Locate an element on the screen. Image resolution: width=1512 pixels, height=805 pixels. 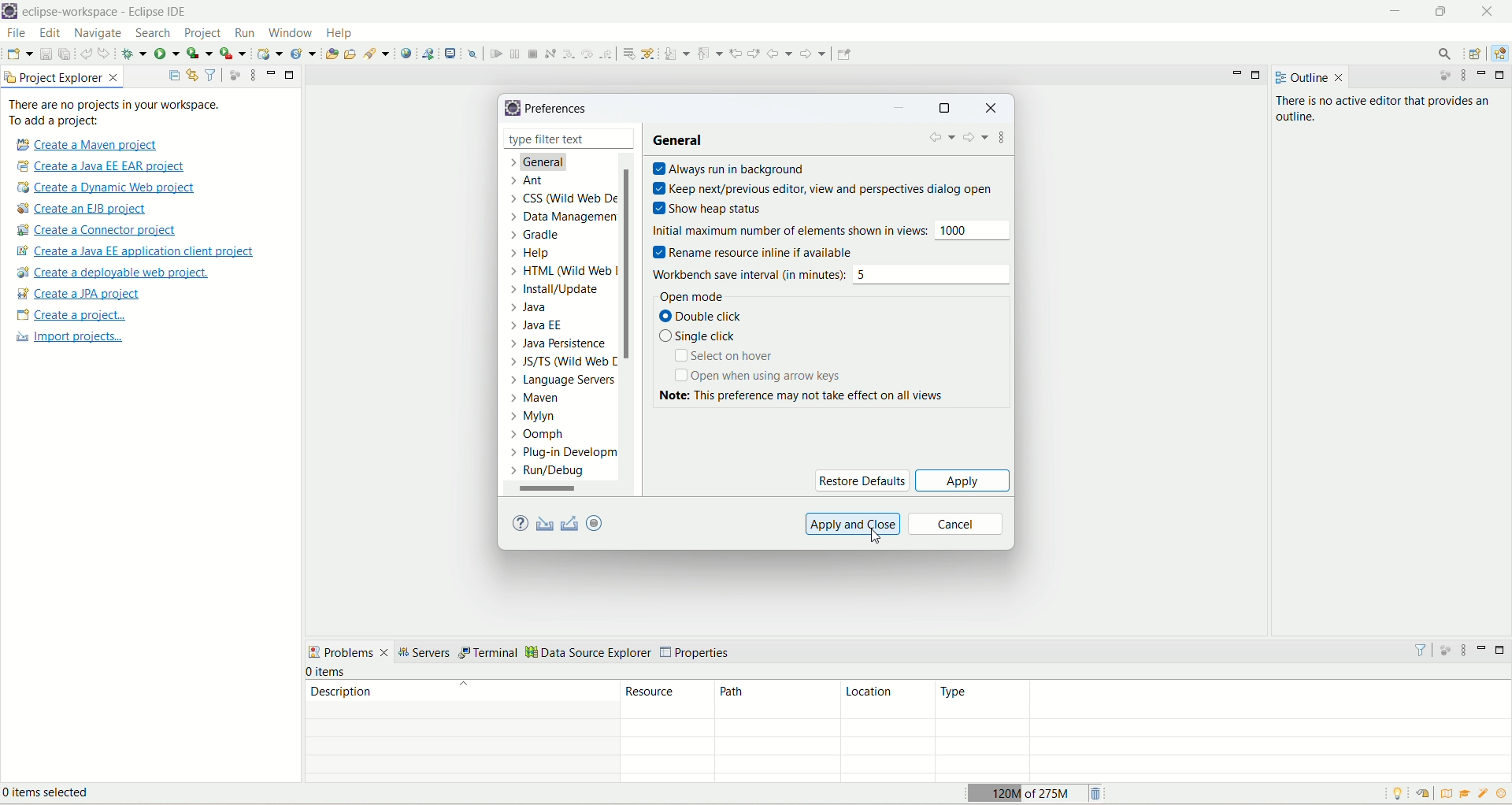
JS/TS is located at coordinates (558, 365).